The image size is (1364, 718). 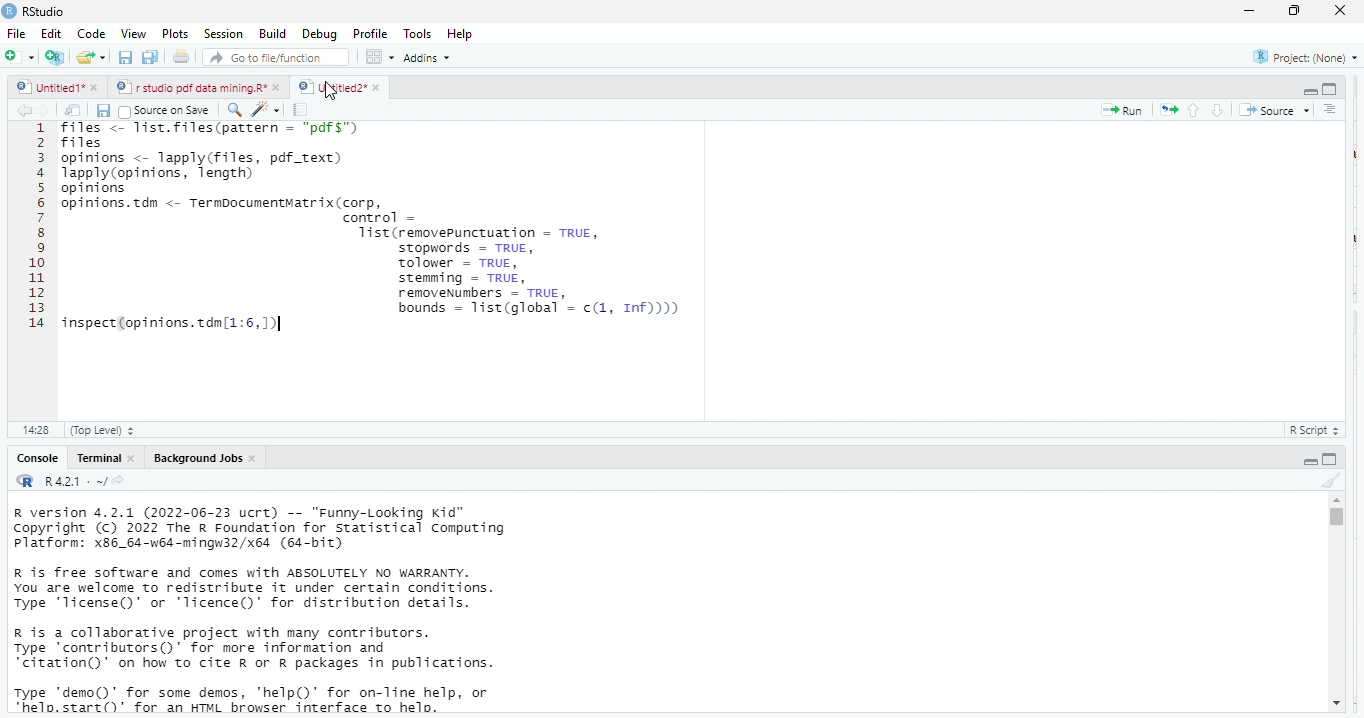 I want to click on untitled 2, so click(x=330, y=86).